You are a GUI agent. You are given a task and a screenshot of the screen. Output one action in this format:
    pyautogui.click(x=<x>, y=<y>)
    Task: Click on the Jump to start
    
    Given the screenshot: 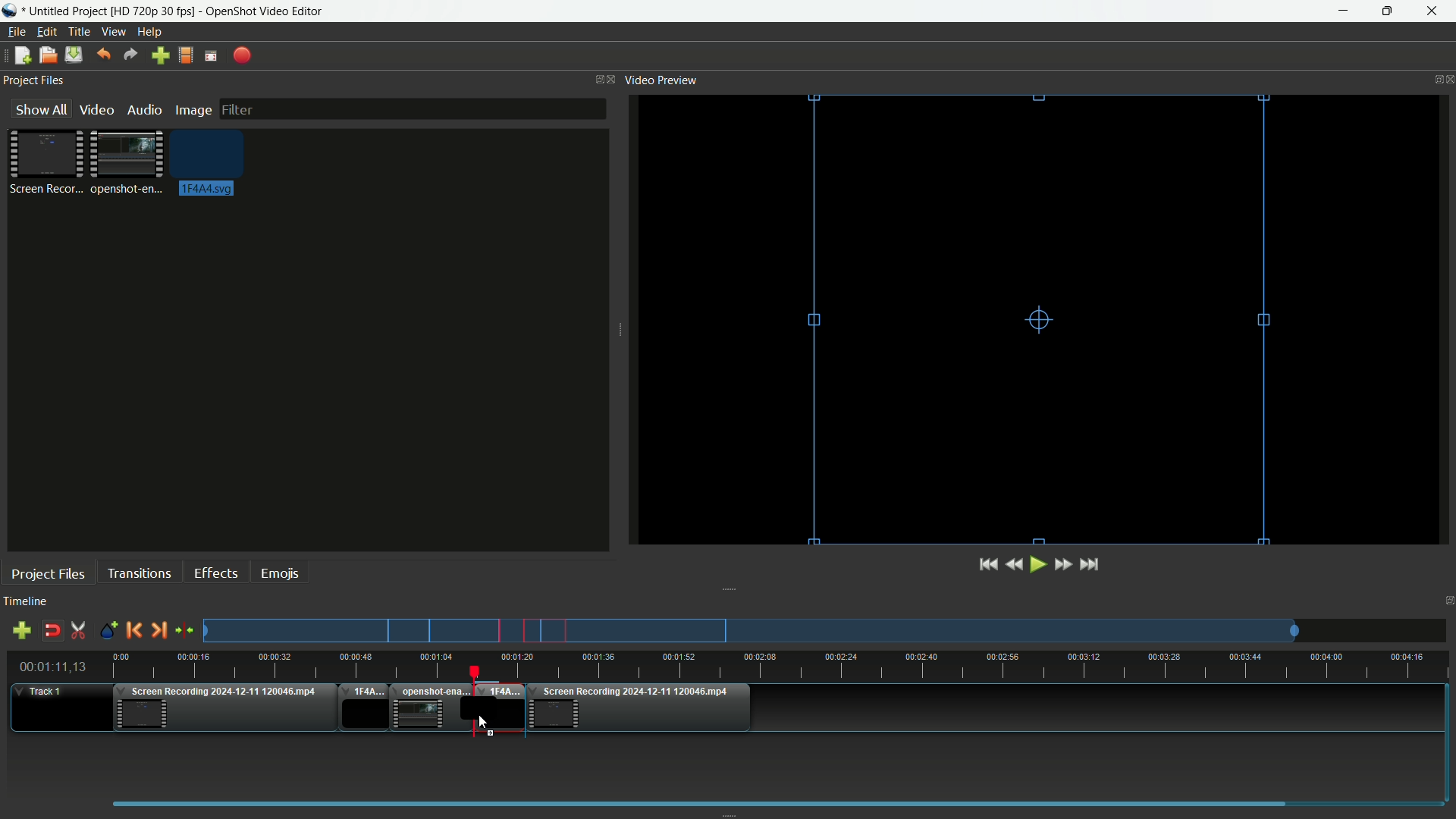 What is the action you would take?
    pyautogui.click(x=986, y=565)
    